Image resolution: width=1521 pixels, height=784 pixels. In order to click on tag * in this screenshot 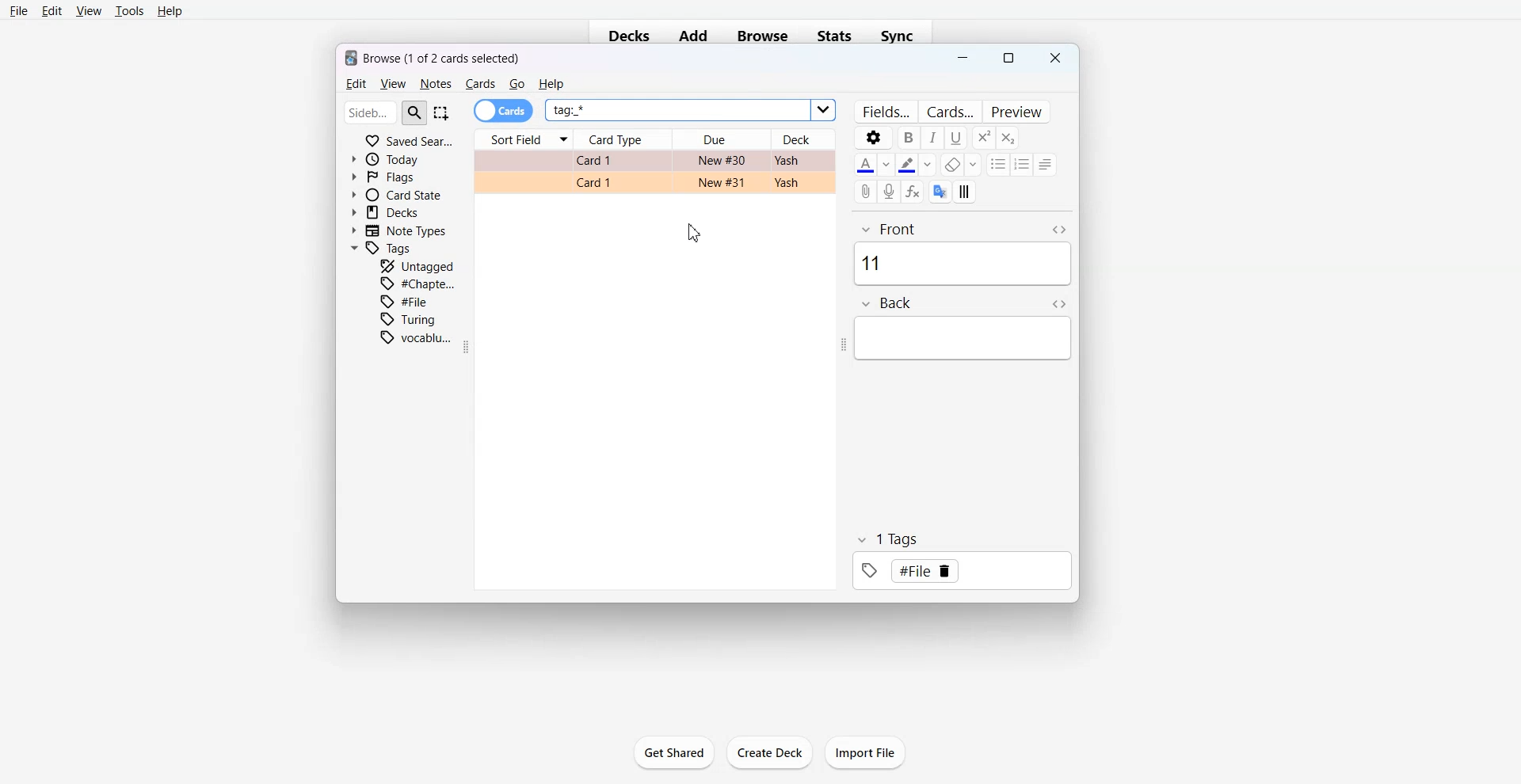, I will do `click(688, 111)`.